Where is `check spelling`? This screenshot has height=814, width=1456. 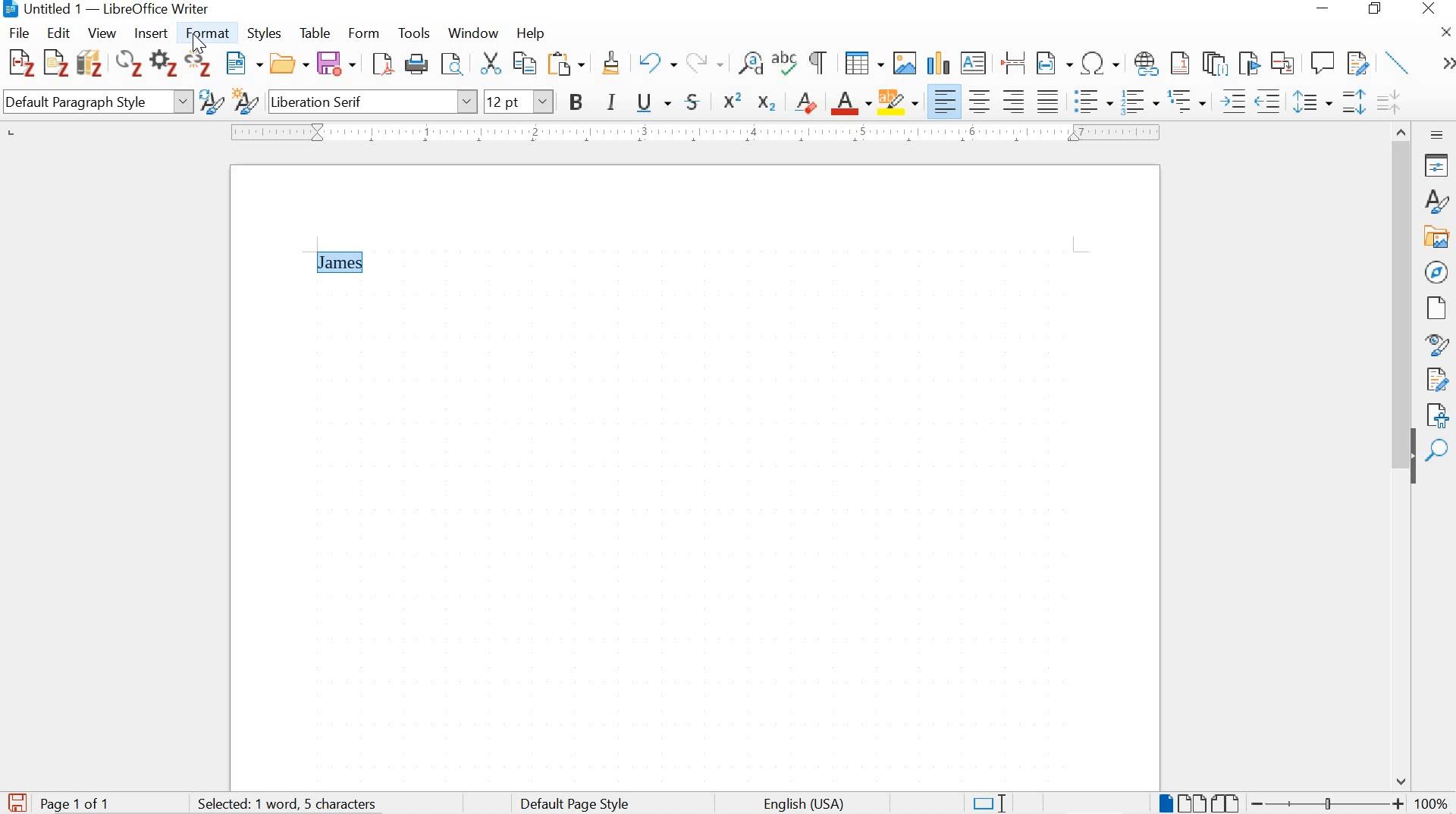 check spelling is located at coordinates (786, 65).